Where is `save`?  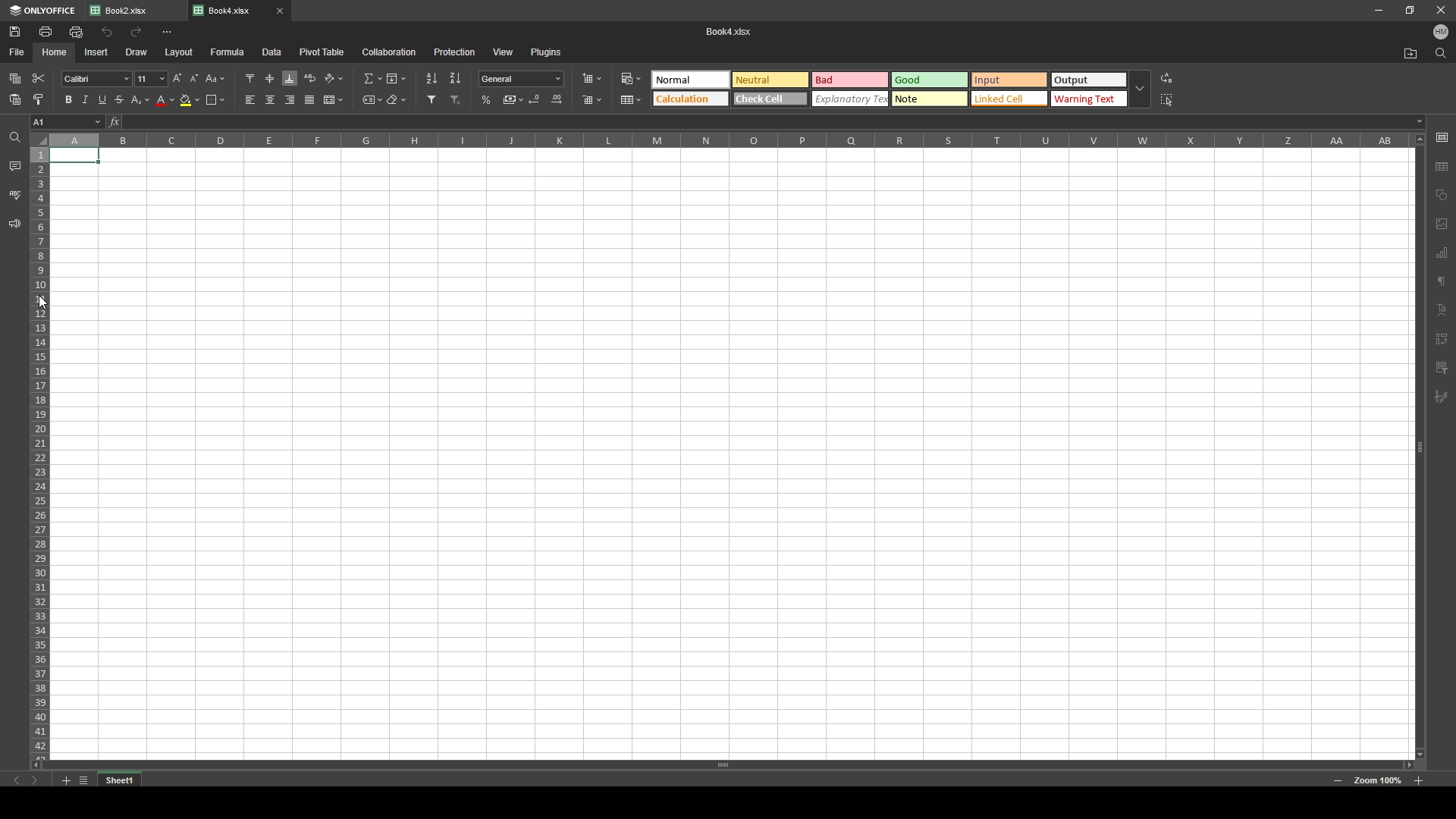 save is located at coordinates (17, 31).